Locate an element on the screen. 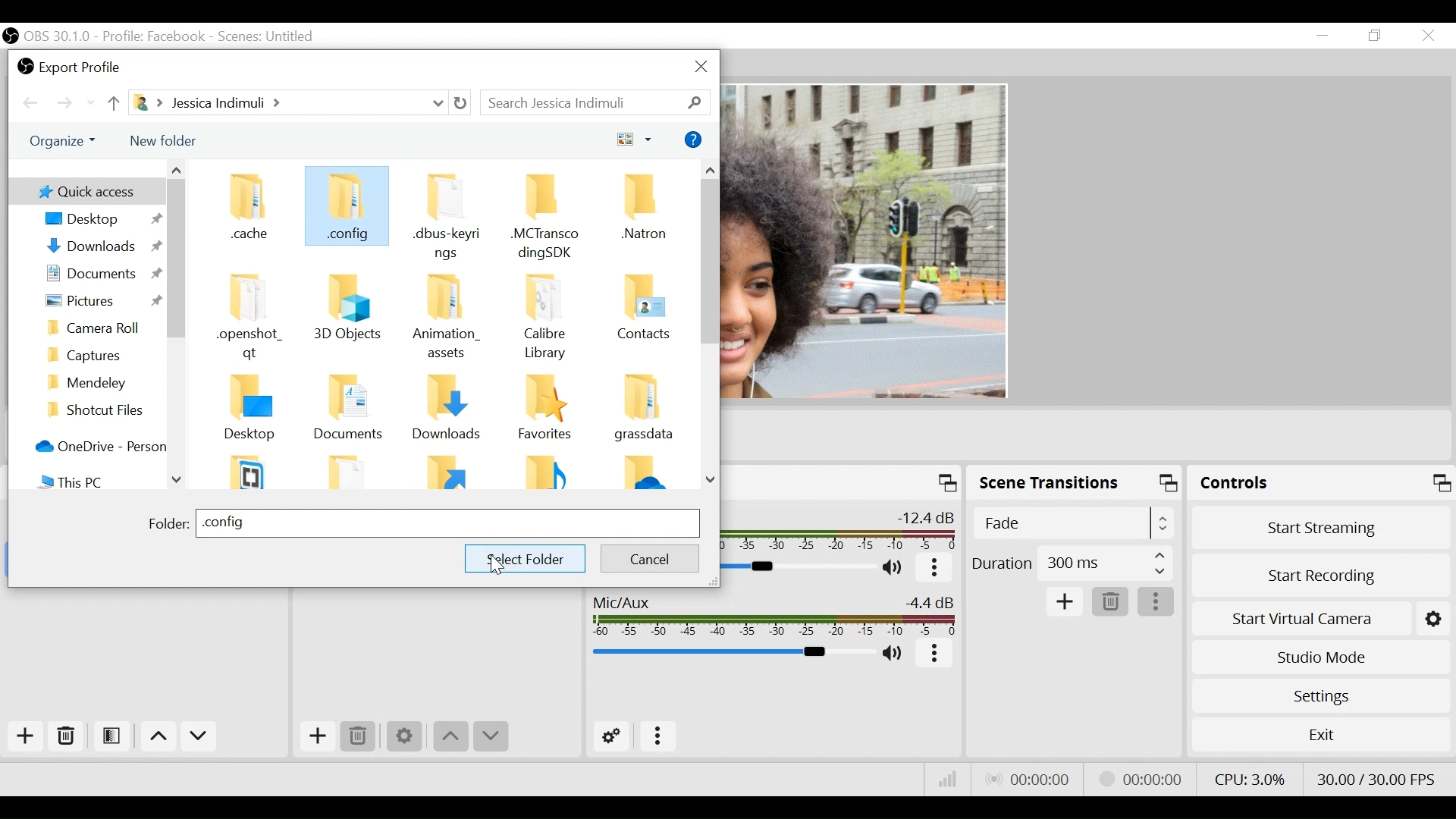  Folder is located at coordinates (345, 209).